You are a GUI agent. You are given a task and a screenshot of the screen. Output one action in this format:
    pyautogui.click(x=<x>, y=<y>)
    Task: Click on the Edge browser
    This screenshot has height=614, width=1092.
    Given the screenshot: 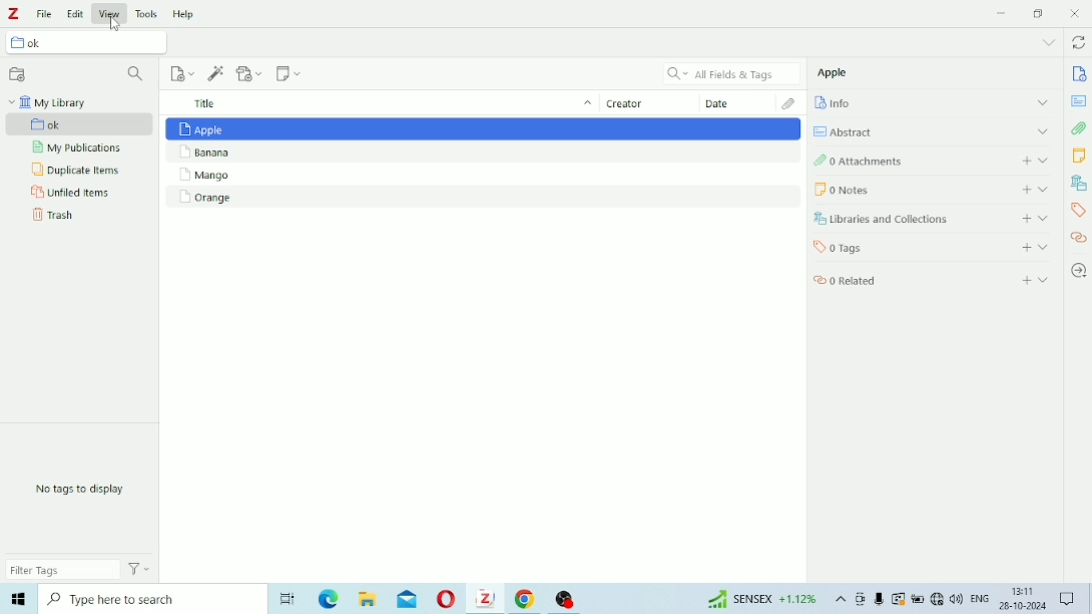 What is the action you would take?
    pyautogui.click(x=326, y=601)
    